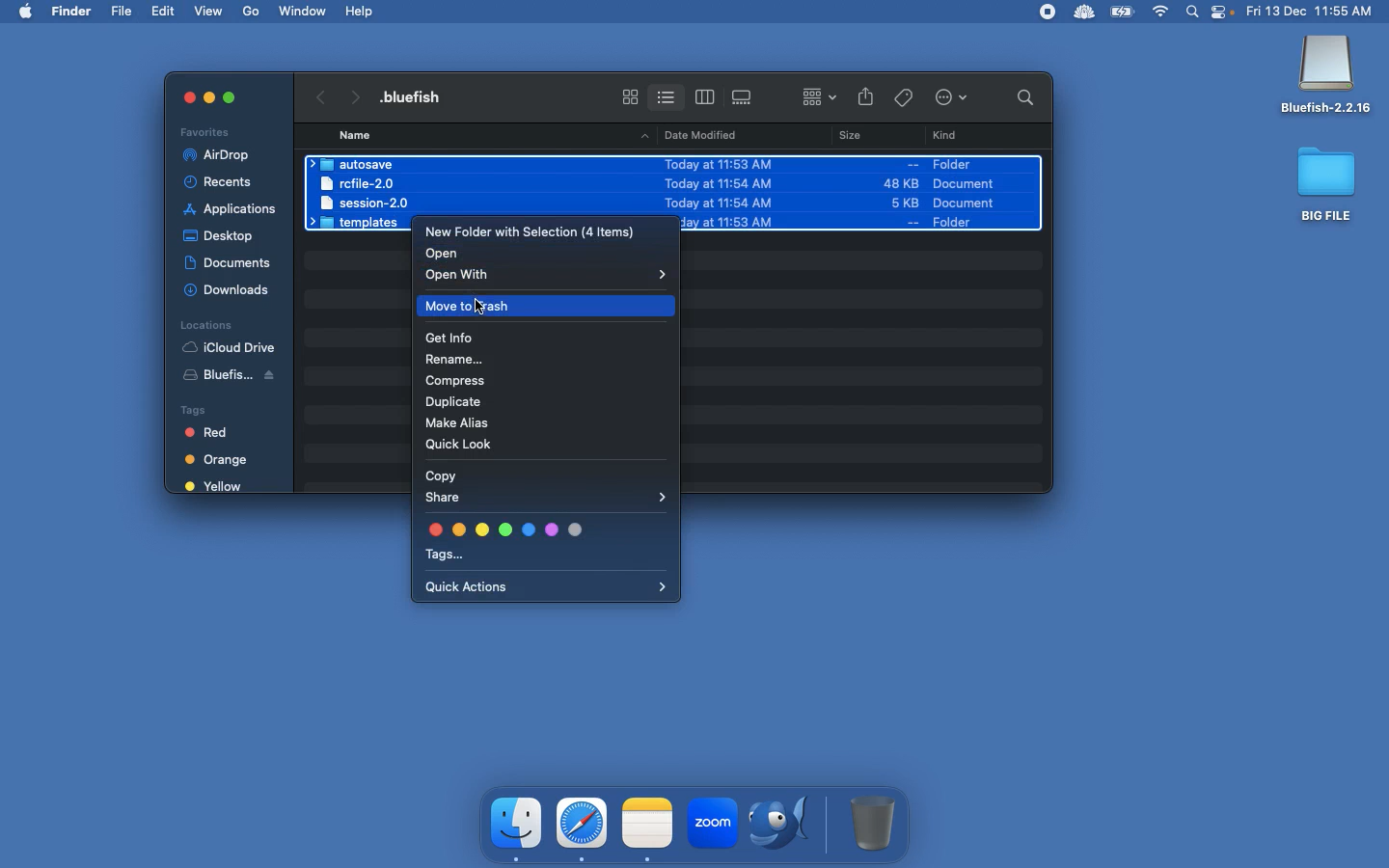 The image size is (1389, 868). Describe the element at coordinates (705, 96) in the screenshot. I see `Column View` at that location.